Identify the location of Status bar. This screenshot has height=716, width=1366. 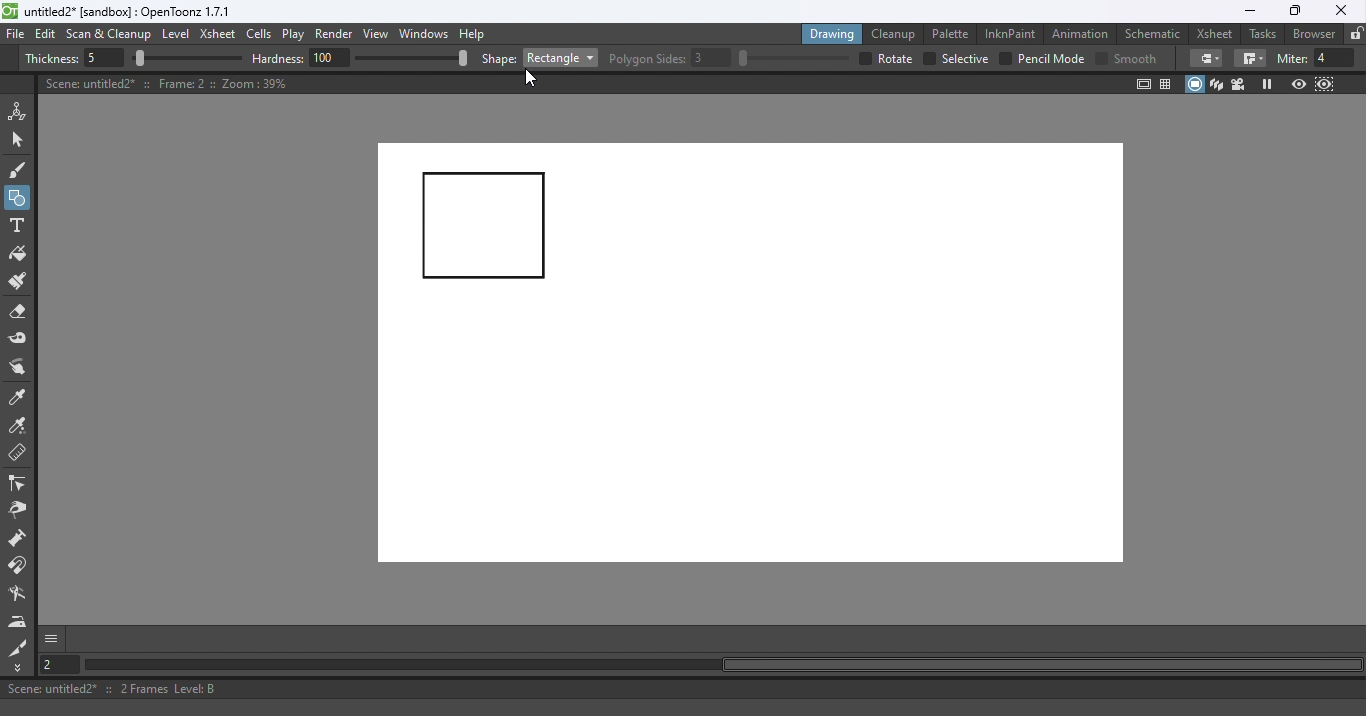
(683, 689).